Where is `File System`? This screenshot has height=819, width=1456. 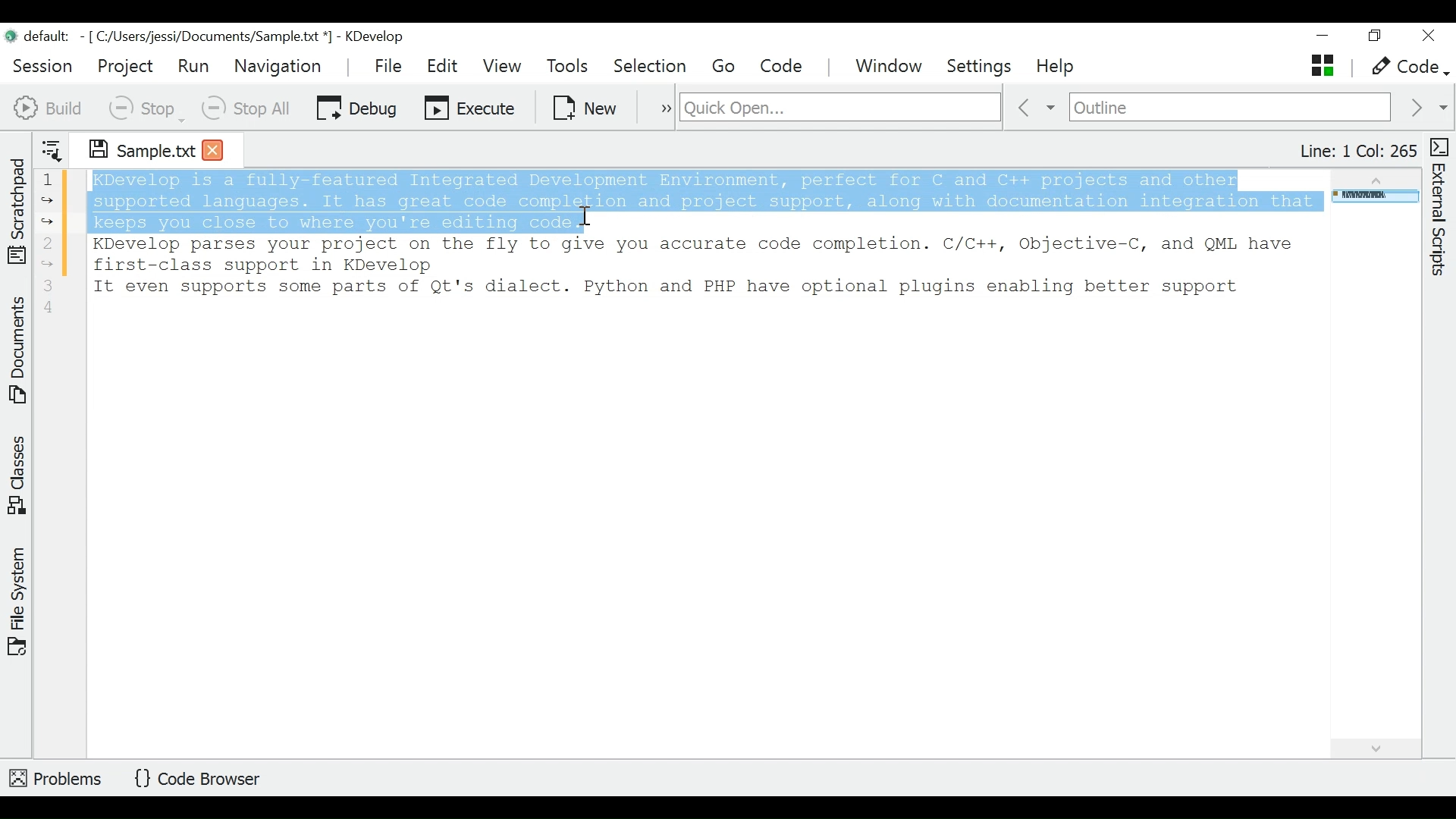 File System is located at coordinates (17, 600).